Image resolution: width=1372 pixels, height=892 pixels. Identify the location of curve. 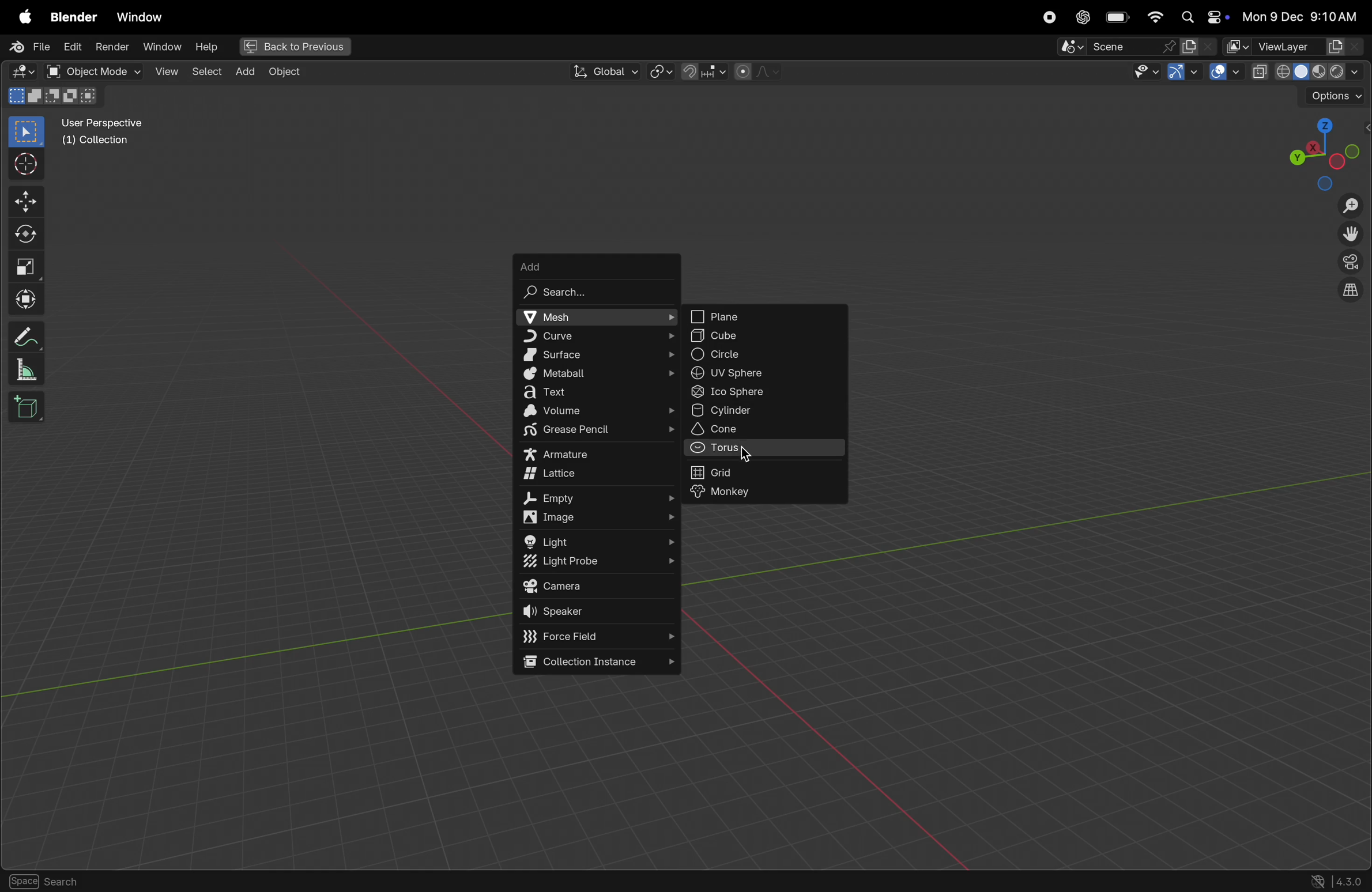
(594, 336).